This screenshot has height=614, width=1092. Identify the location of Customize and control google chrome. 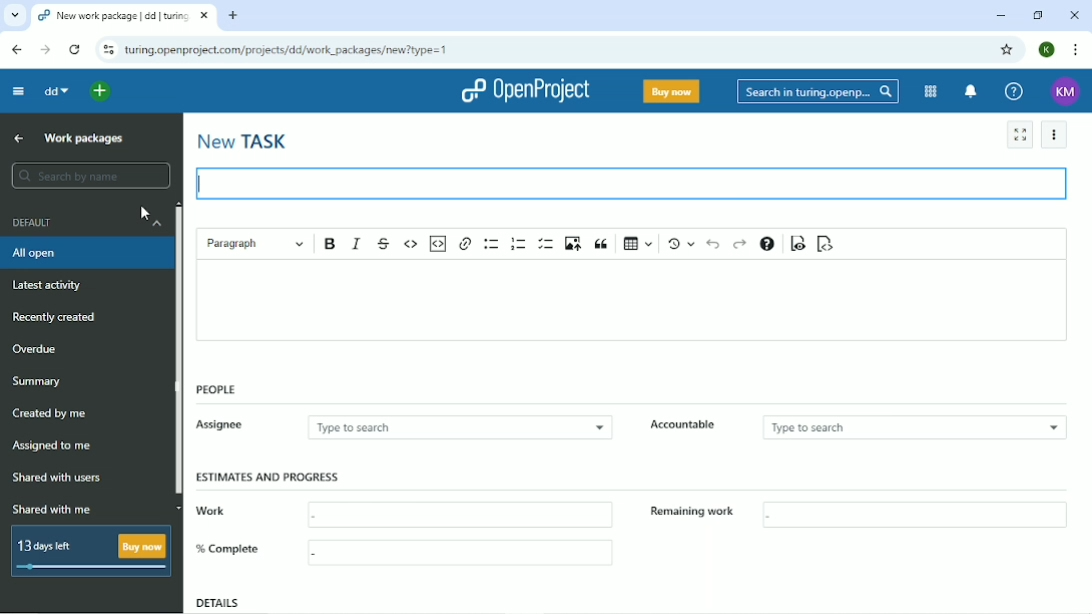
(1079, 50).